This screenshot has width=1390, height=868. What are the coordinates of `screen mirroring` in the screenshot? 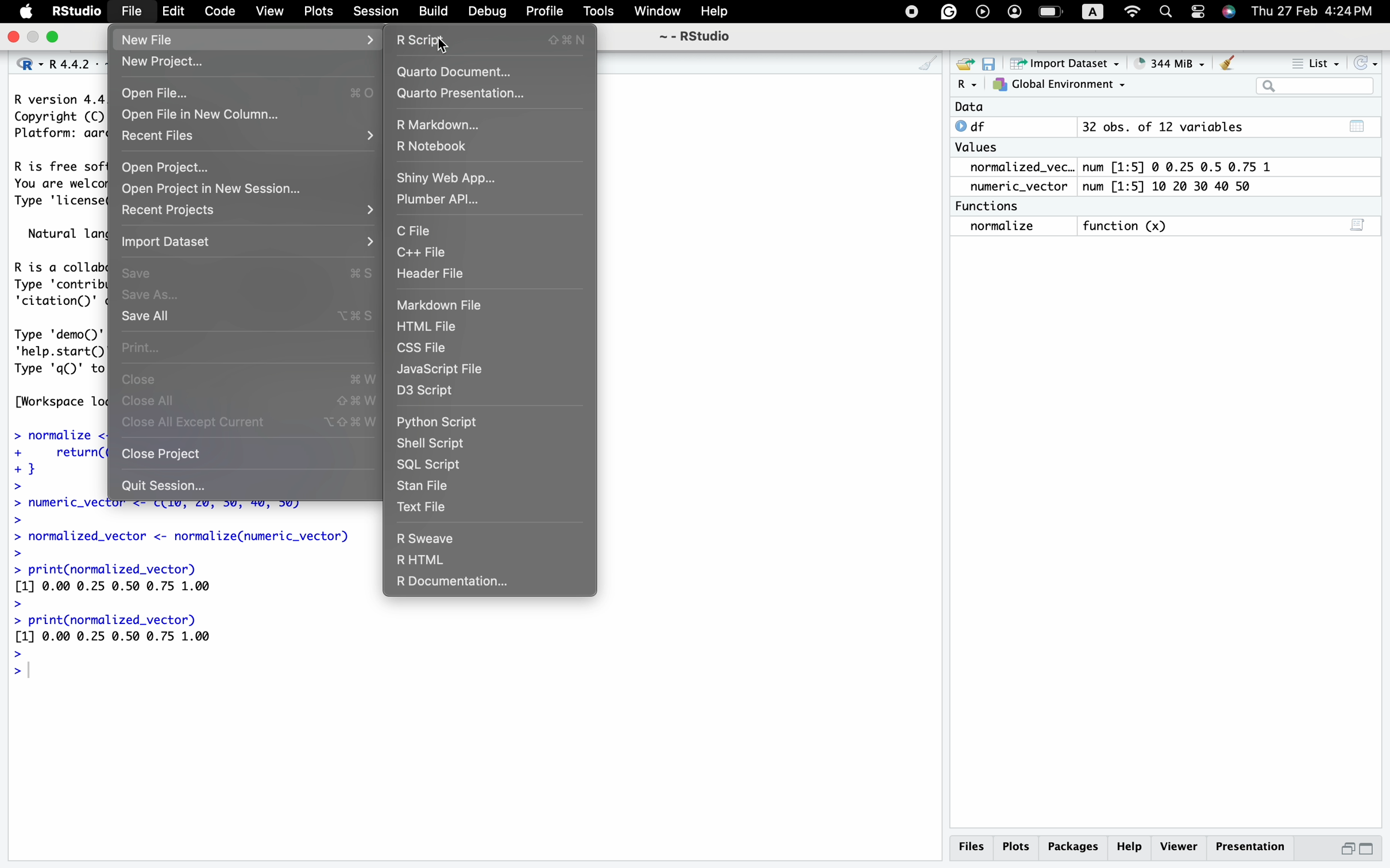 It's located at (1192, 13).